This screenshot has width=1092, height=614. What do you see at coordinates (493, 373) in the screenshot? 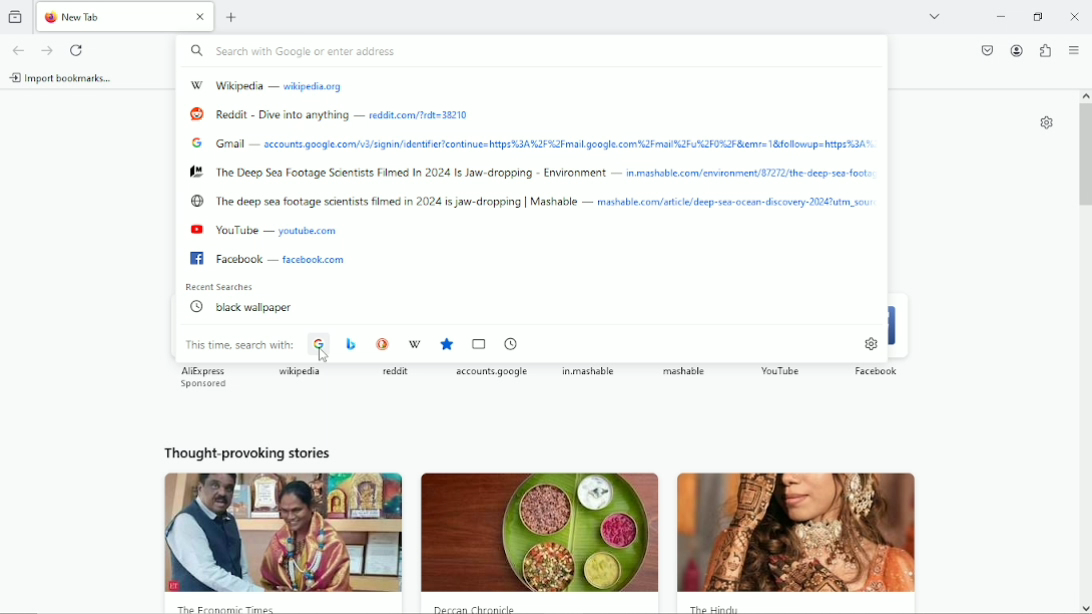
I see `accounts google` at bounding box center [493, 373].